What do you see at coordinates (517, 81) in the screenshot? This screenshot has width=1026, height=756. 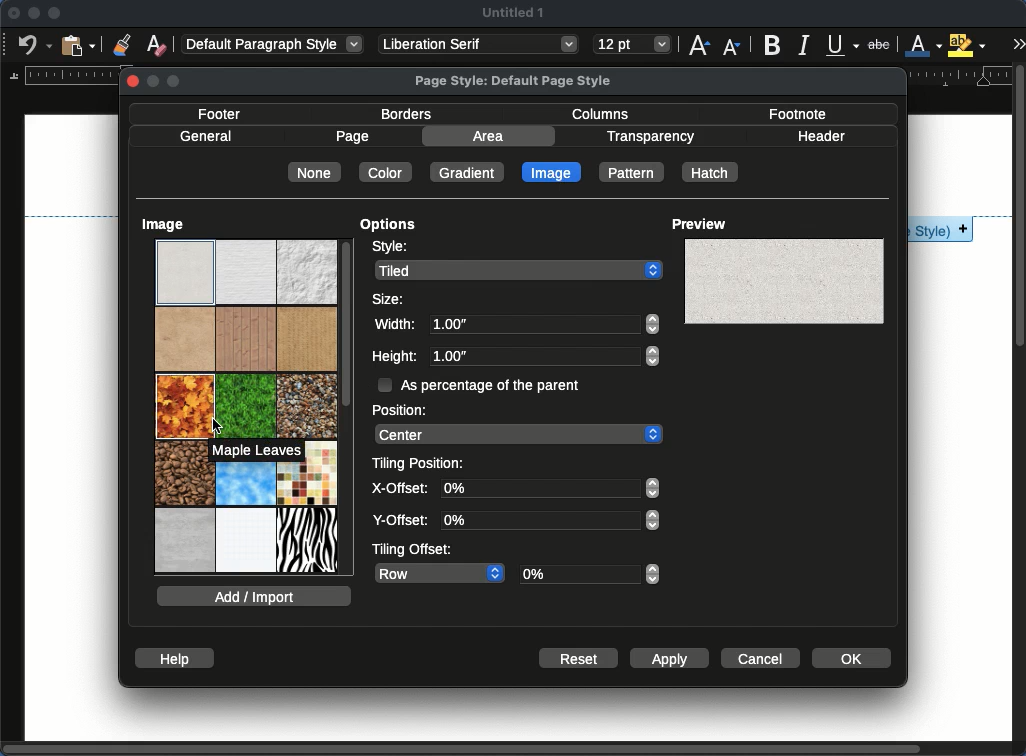 I see `page style: default page style` at bounding box center [517, 81].